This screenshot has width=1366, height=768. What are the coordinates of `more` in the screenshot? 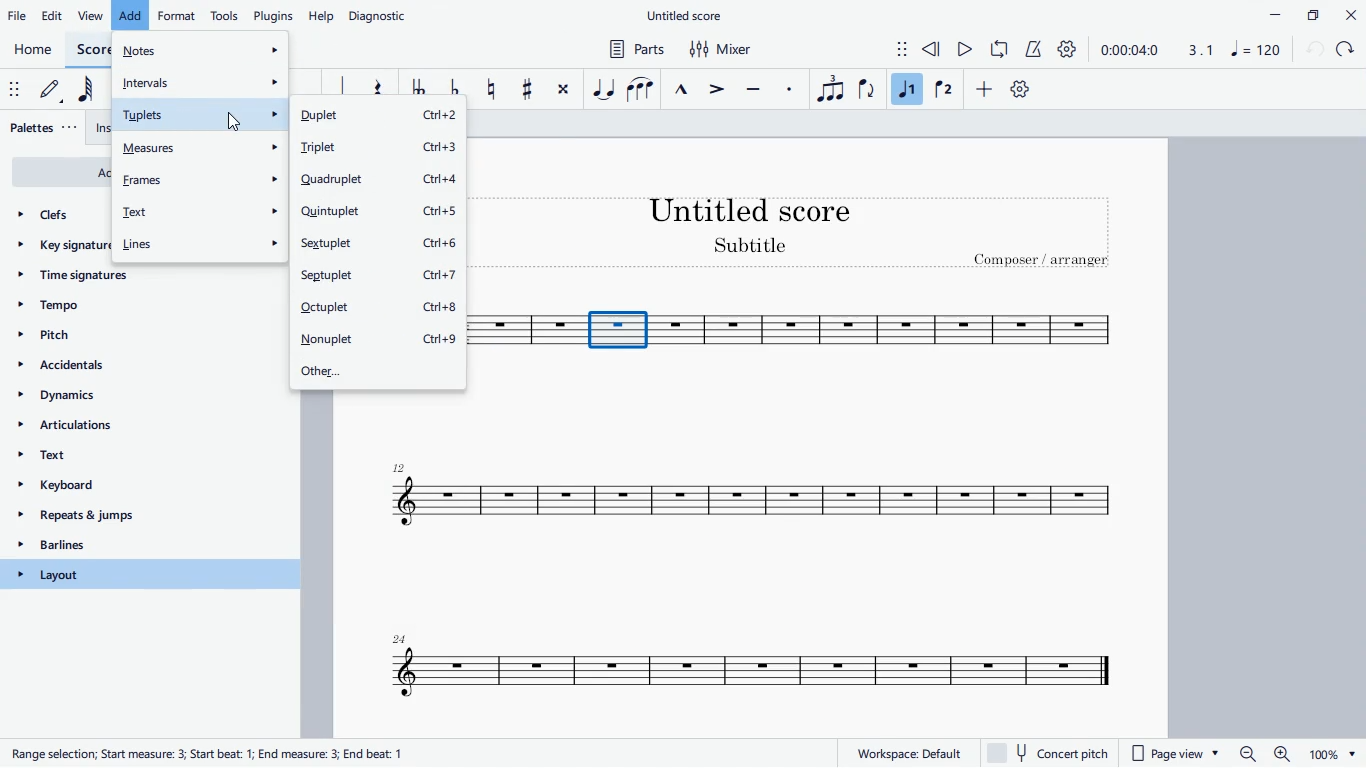 It's located at (987, 92).